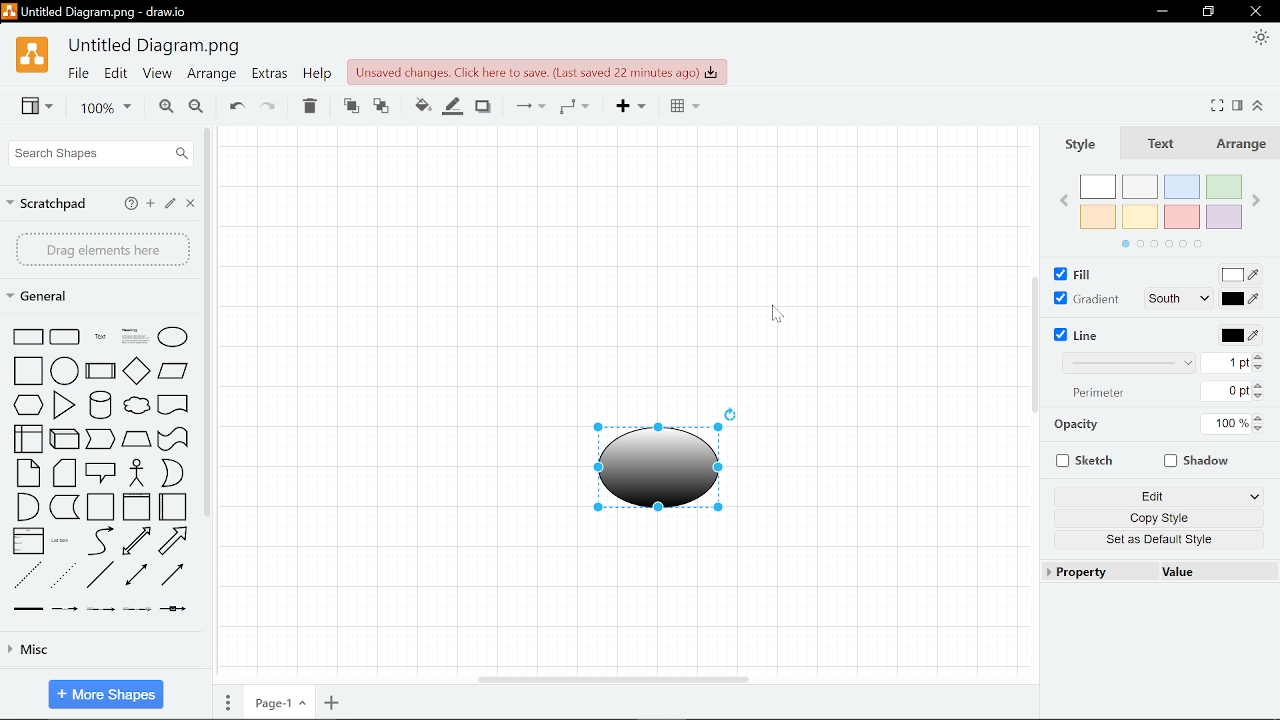 This screenshot has height=720, width=1280. Describe the element at coordinates (348, 104) in the screenshot. I see `To front` at that location.